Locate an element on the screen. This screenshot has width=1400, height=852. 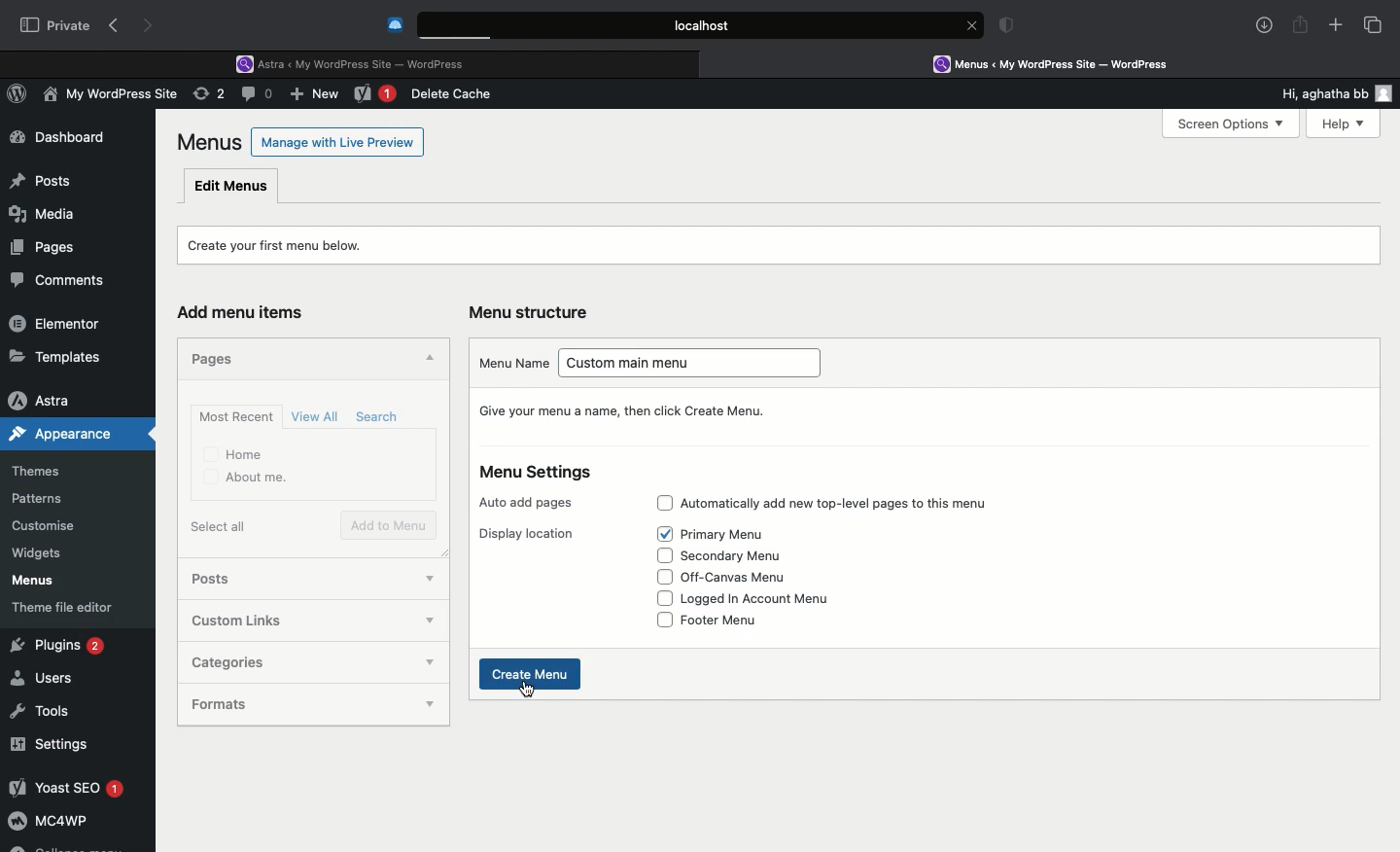
Edit menus is located at coordinates (232, 185).